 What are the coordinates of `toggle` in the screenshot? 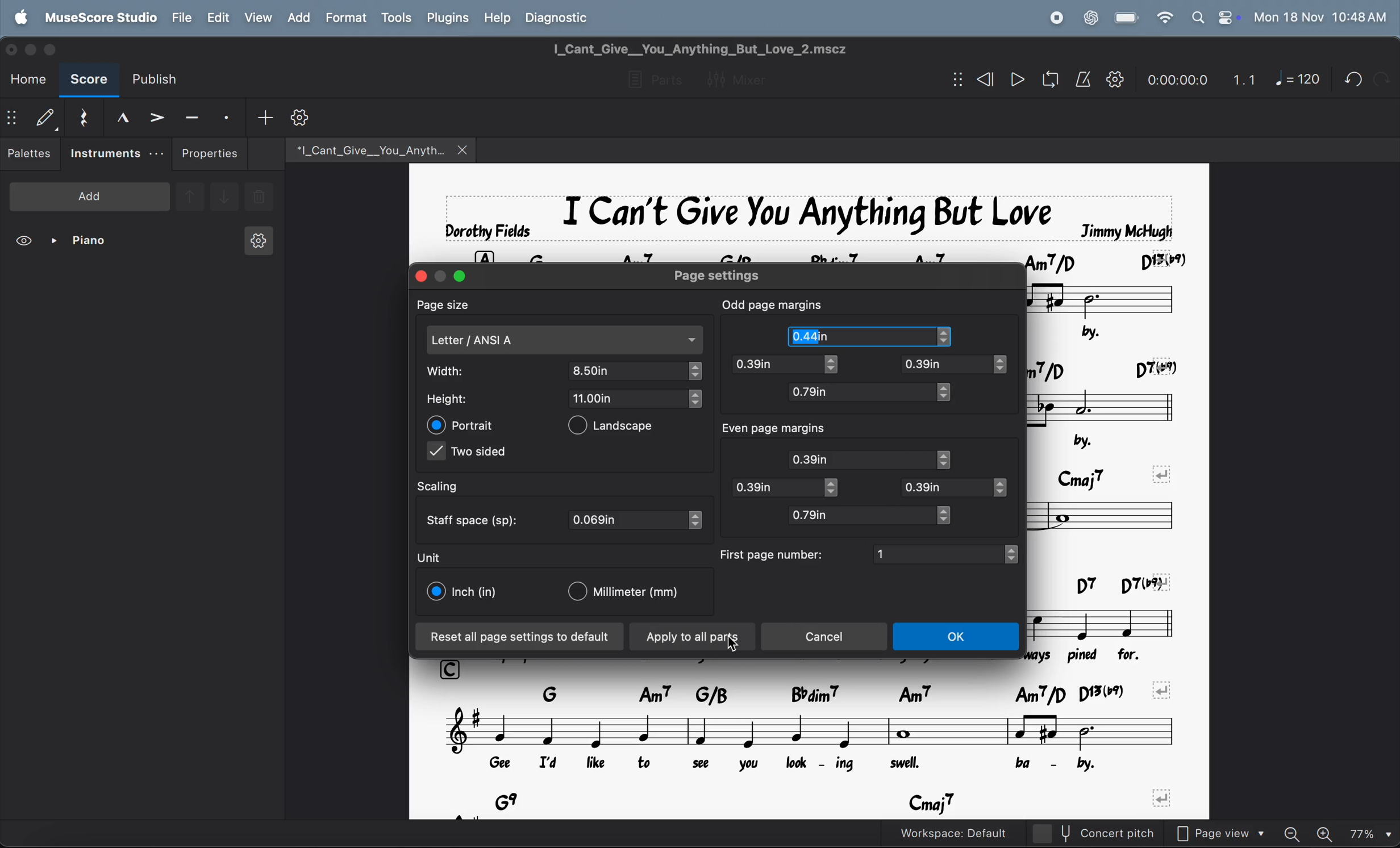 It's located at (835, 488).